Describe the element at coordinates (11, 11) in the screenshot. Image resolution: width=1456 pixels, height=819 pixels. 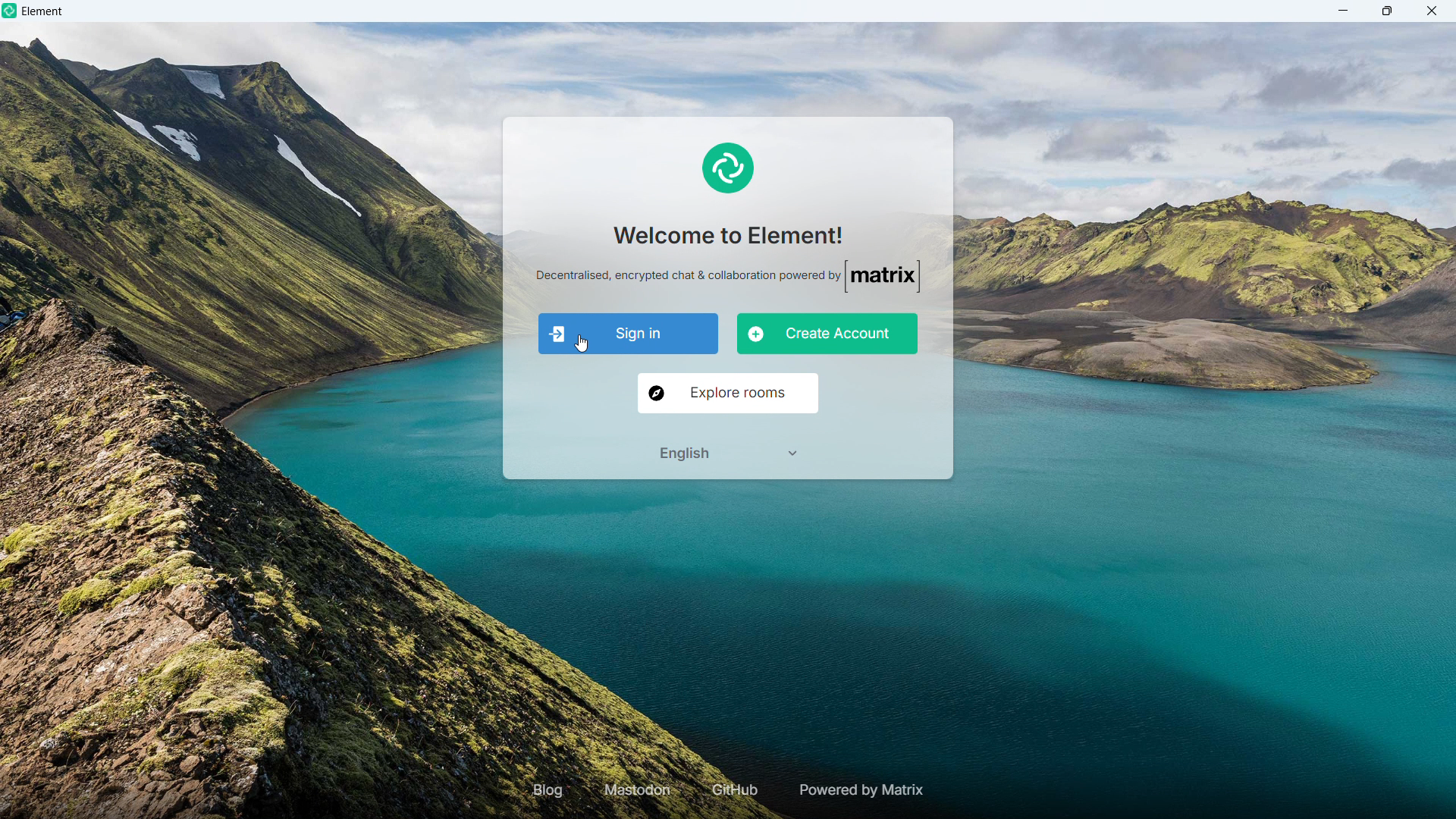
I see `element logo` at that location.